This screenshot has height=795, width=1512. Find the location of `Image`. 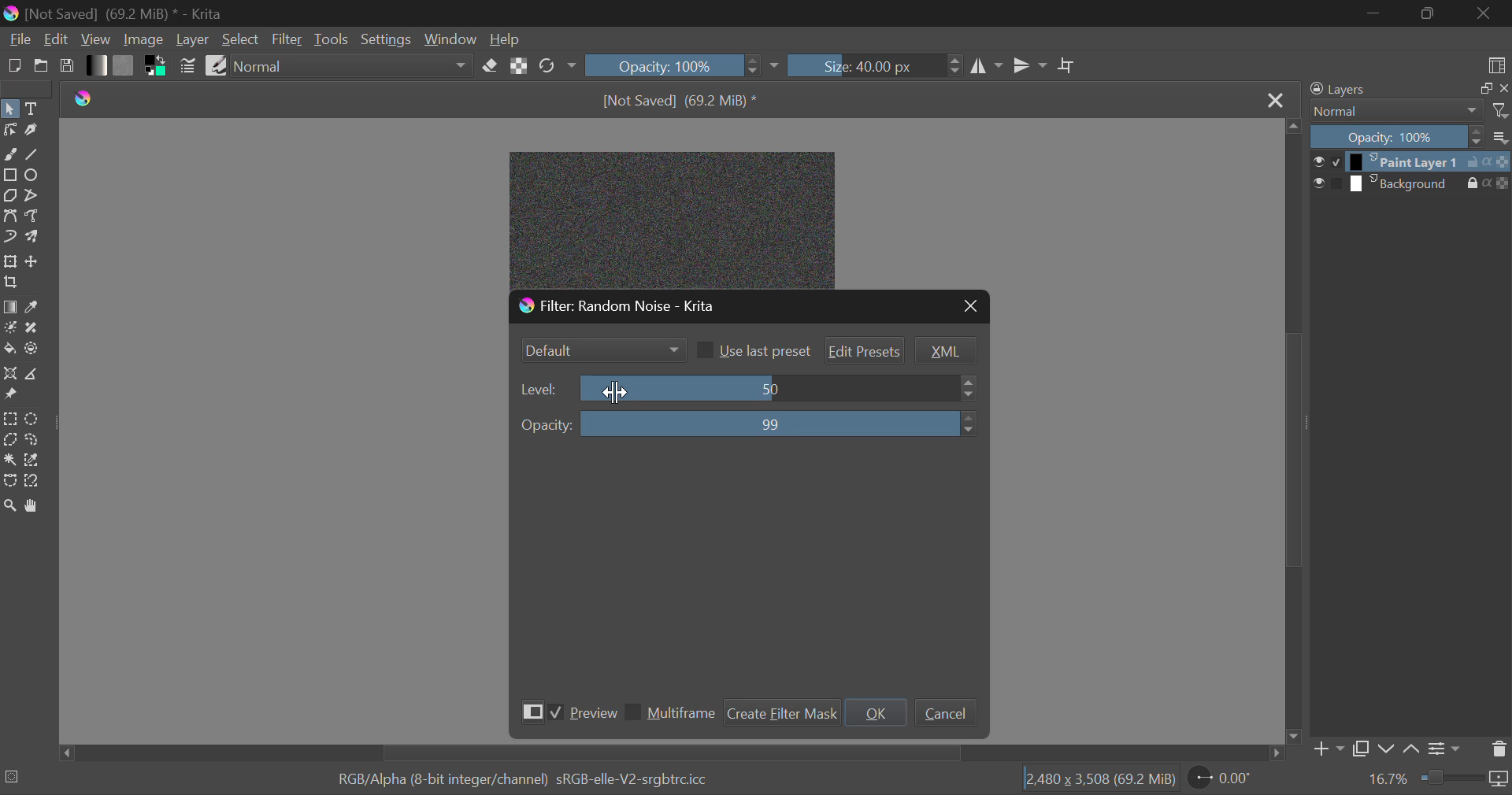

Image is located at coordinates (143, 41).